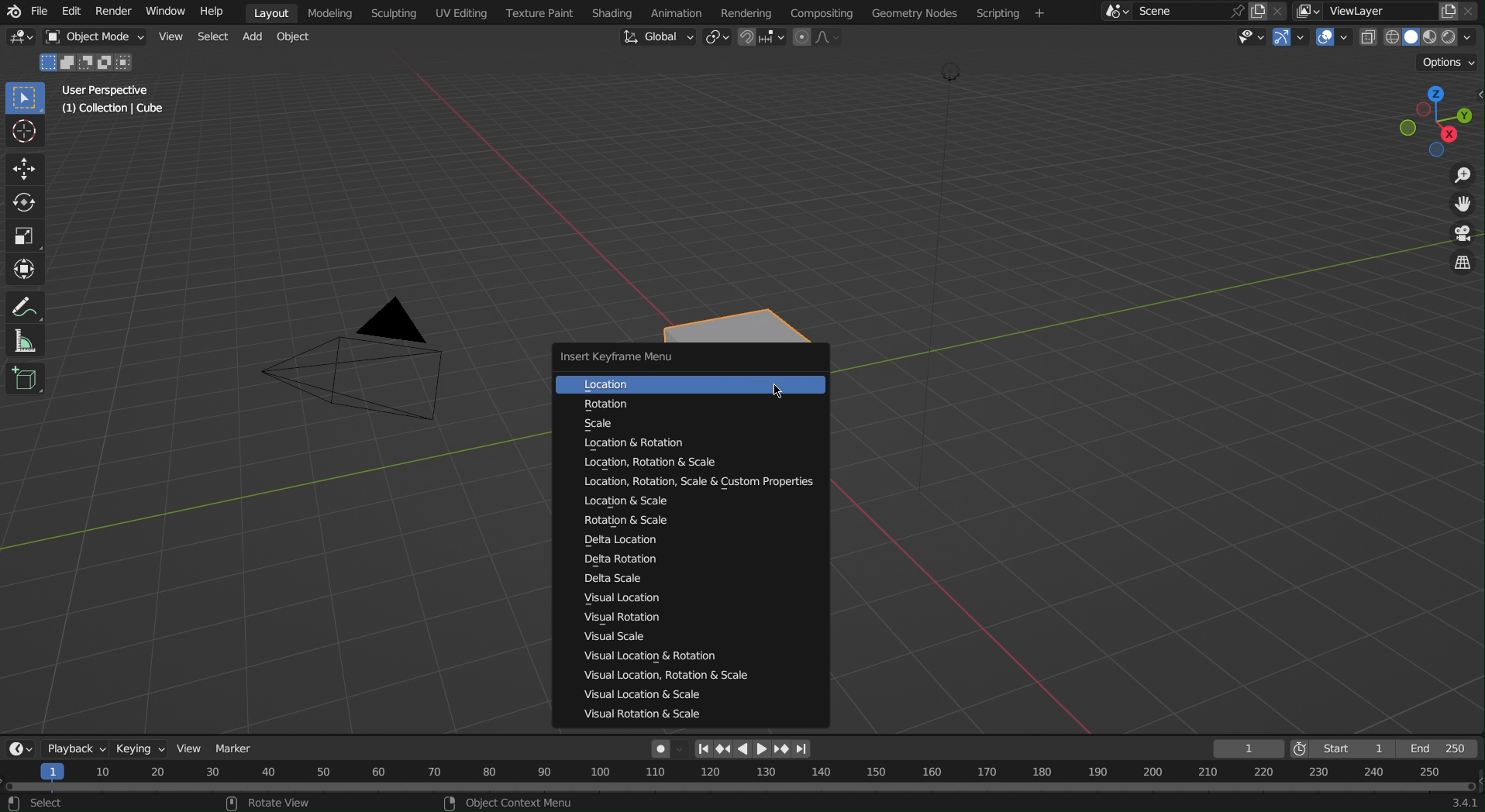  Describe the element at coordinates (78, 745) in the screenshot. I see `Playback` at that location.